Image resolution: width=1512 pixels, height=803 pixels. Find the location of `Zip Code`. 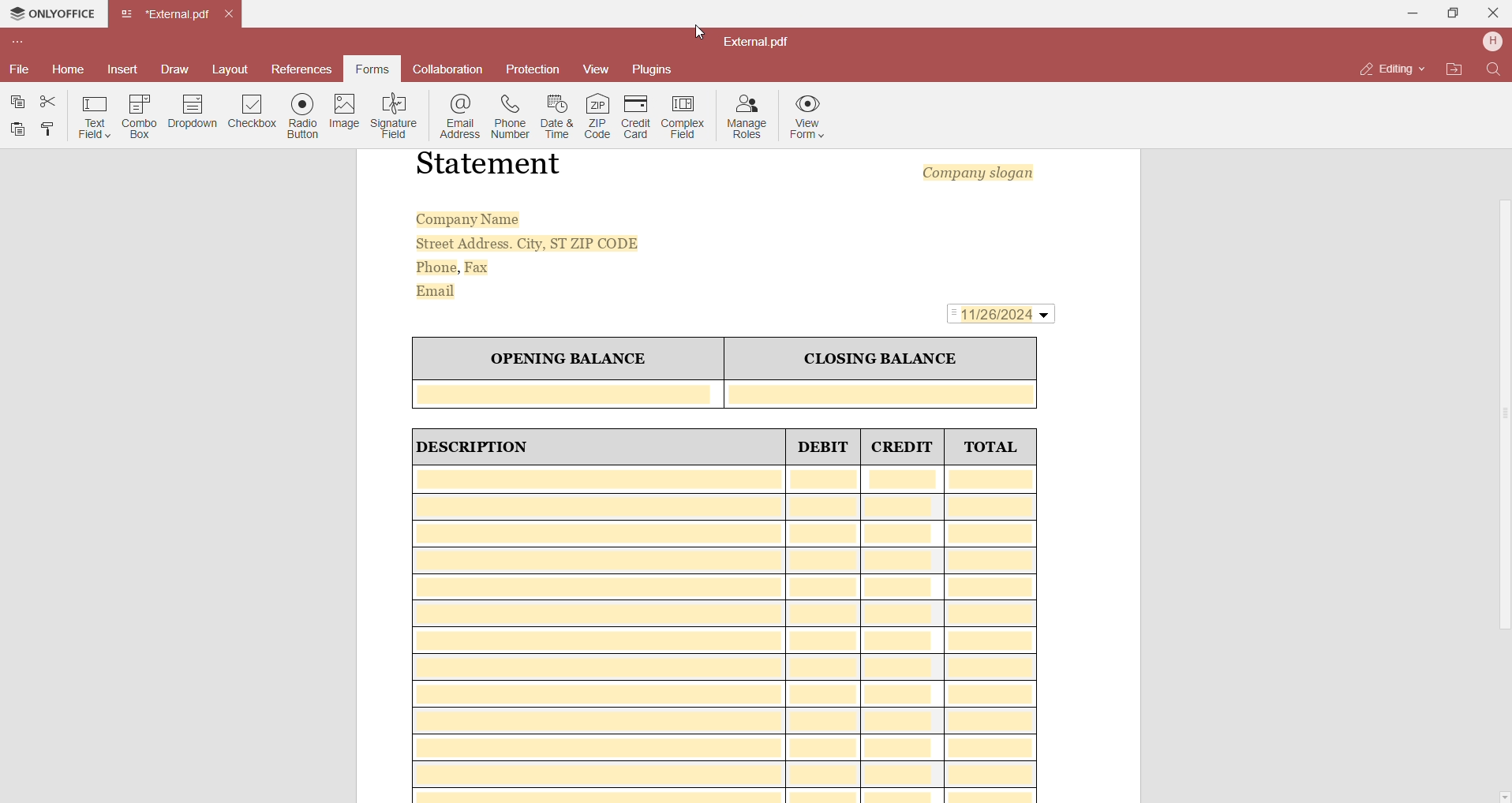

Zip Code is located at coordinates (598, 115).